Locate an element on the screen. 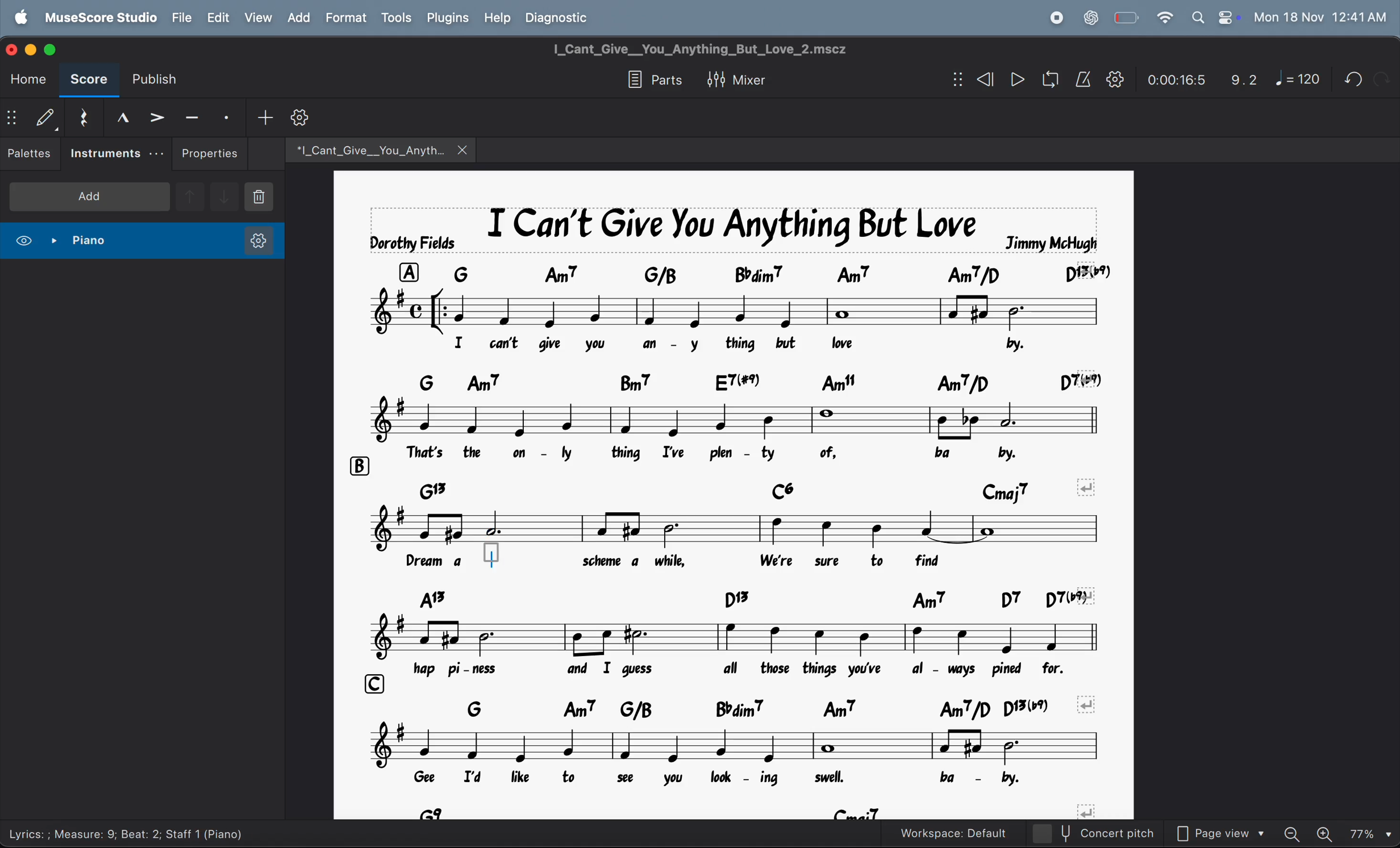 This screenshot has width=1400, height=848. record is located at coordinates (1054, 16).